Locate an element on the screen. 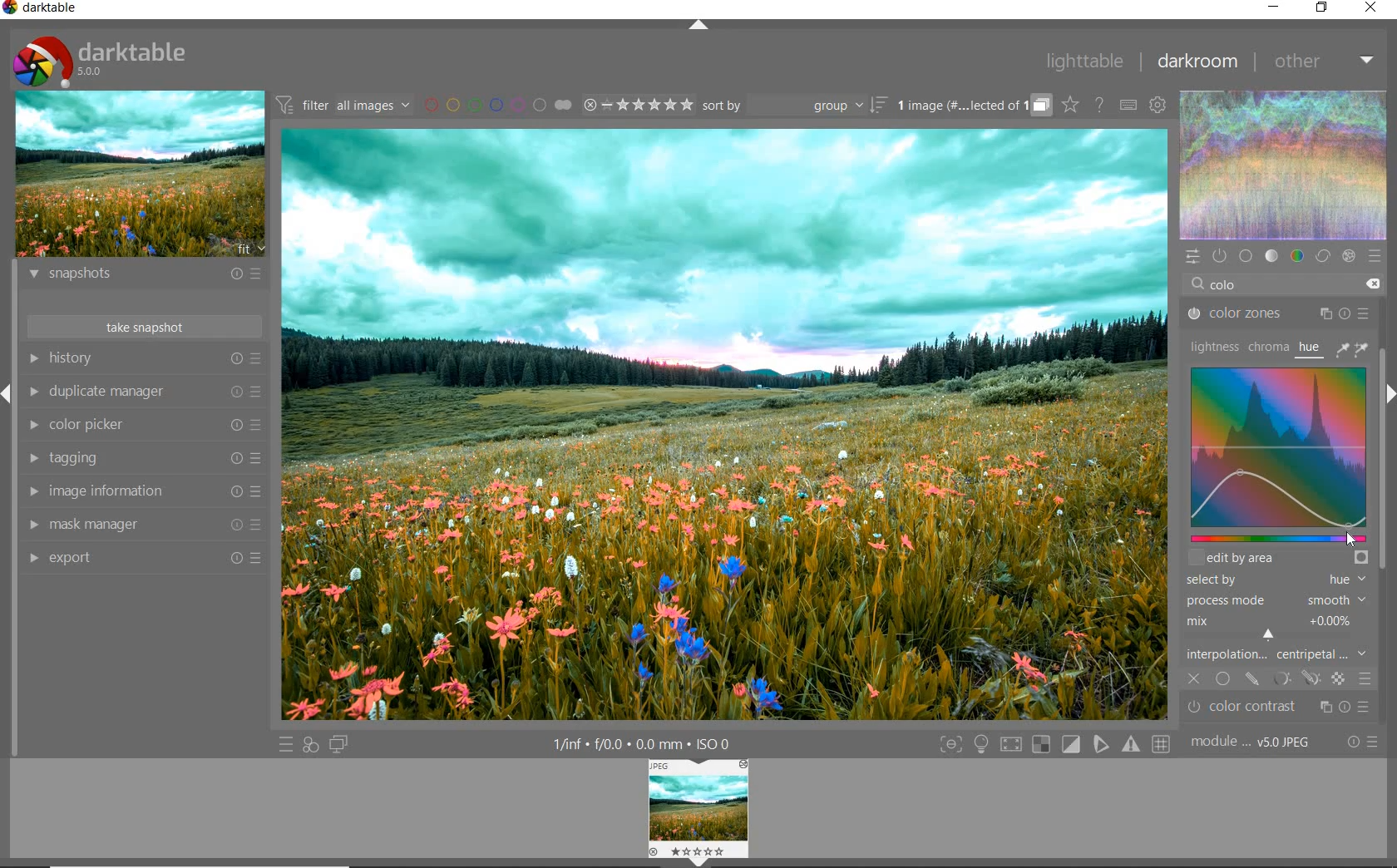 The image size is (1397, 868). tagging is located at coordinates (142, 459).